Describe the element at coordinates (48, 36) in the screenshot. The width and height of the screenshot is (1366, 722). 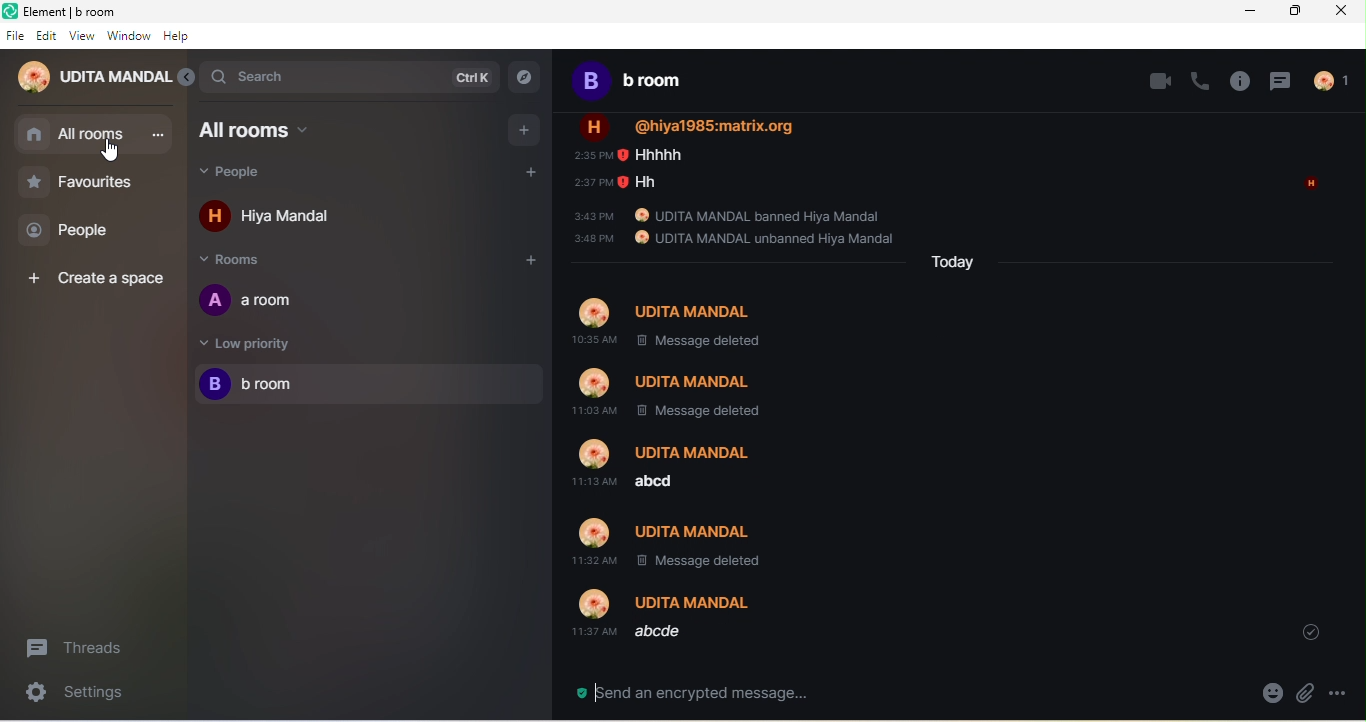
I see `edit` at that location.